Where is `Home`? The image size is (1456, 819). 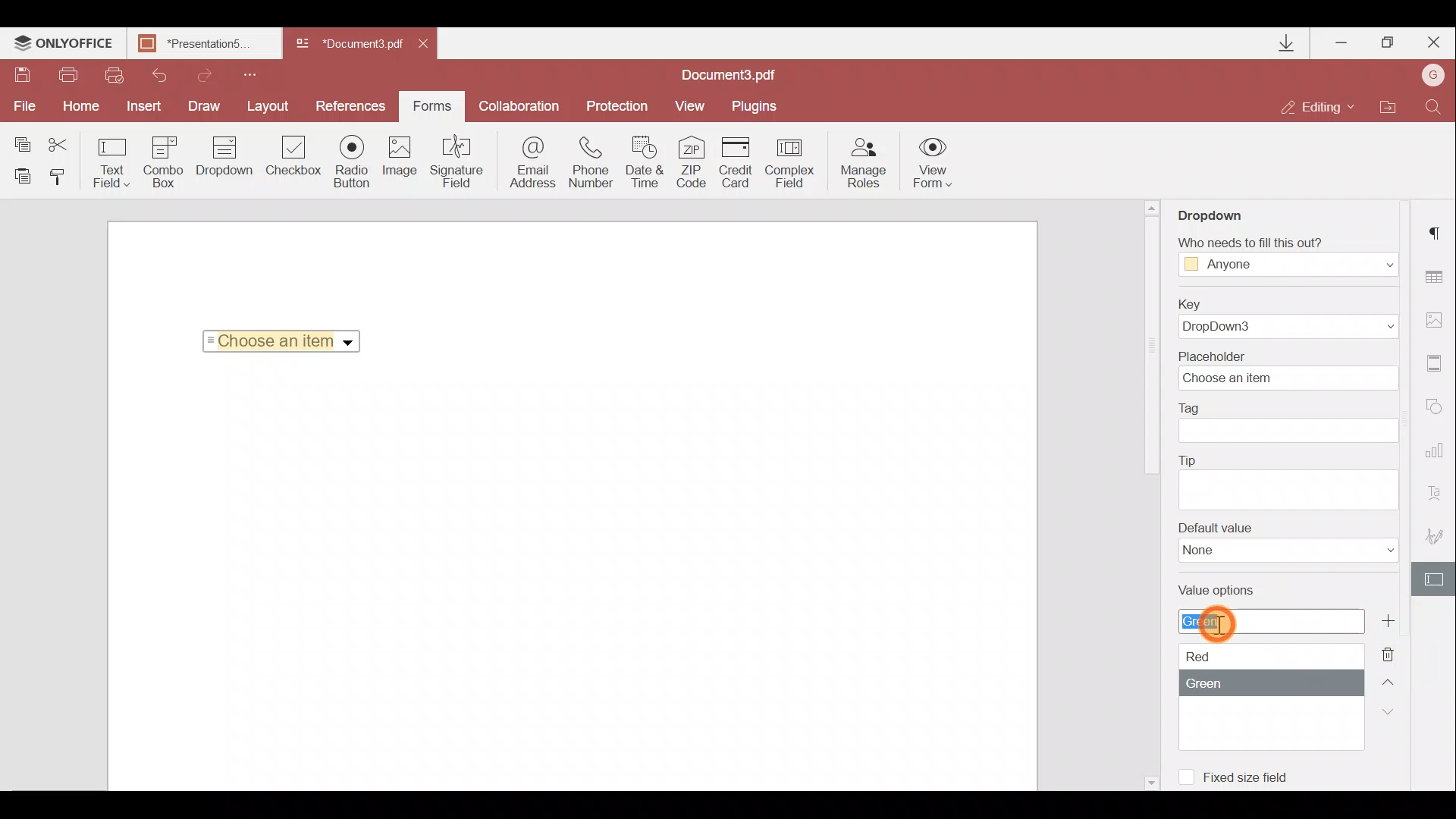
Home is located at coordinates (85, 107).